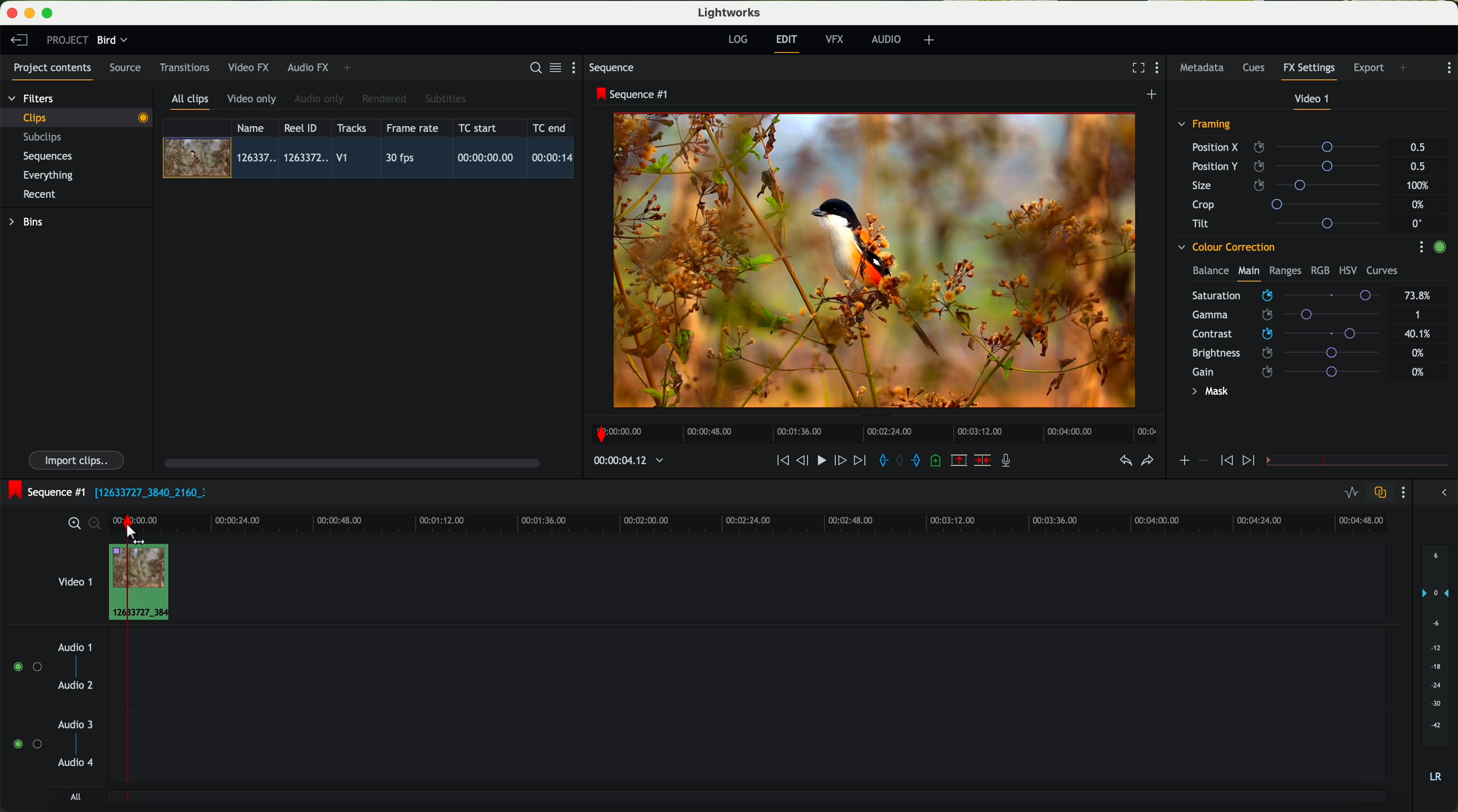 This screenshot has height=812, width=1458. Describe the element at coordinates (27, 744) in the screenshot. I see `enable audio` at that location.